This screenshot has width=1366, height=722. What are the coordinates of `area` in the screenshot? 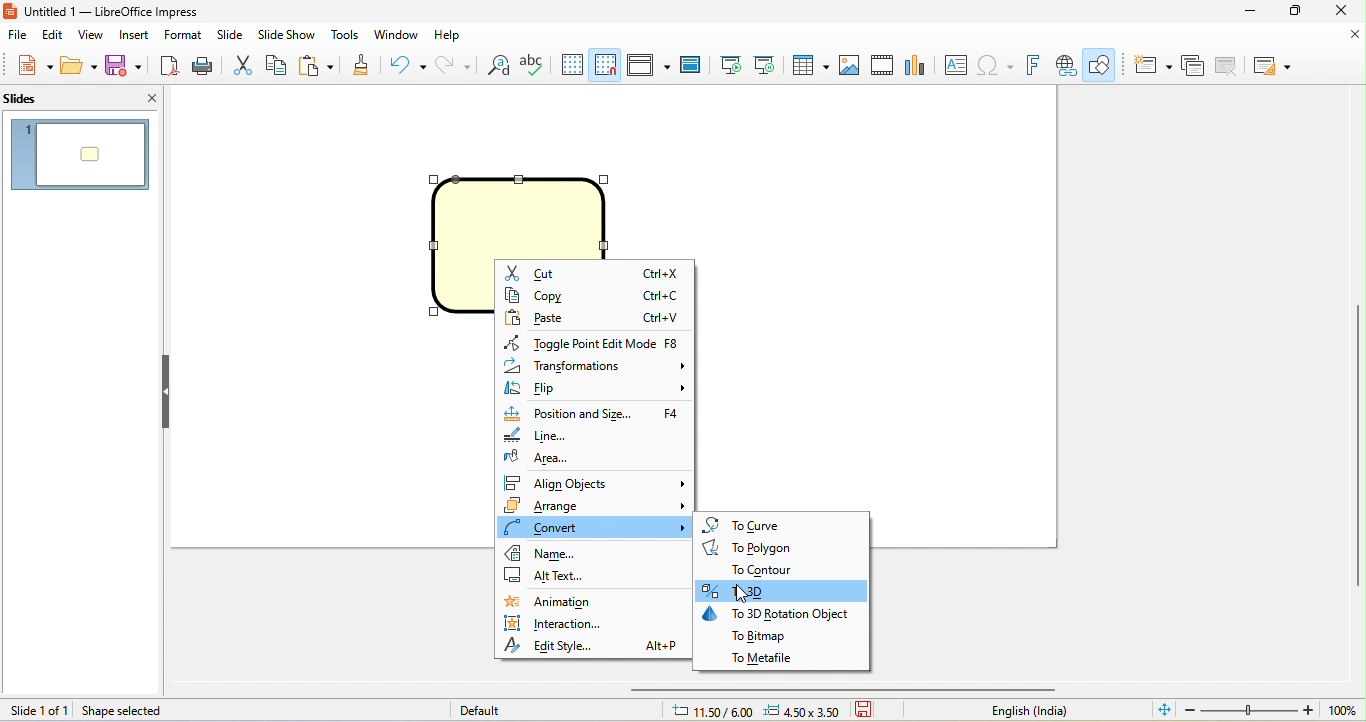 It's located at (537, 461).